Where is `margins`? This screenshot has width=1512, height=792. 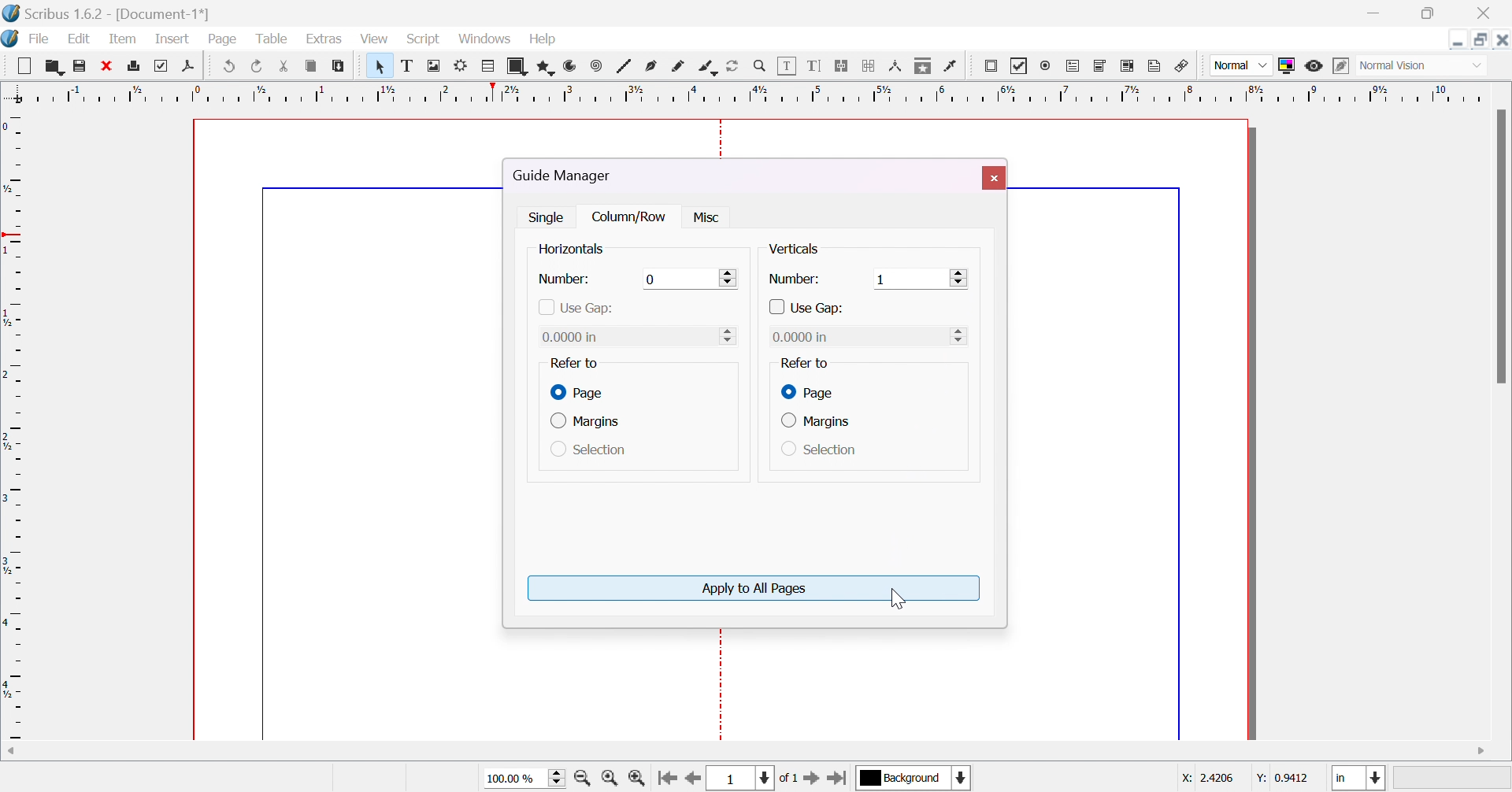 margins is located at coordinates (816, 421).